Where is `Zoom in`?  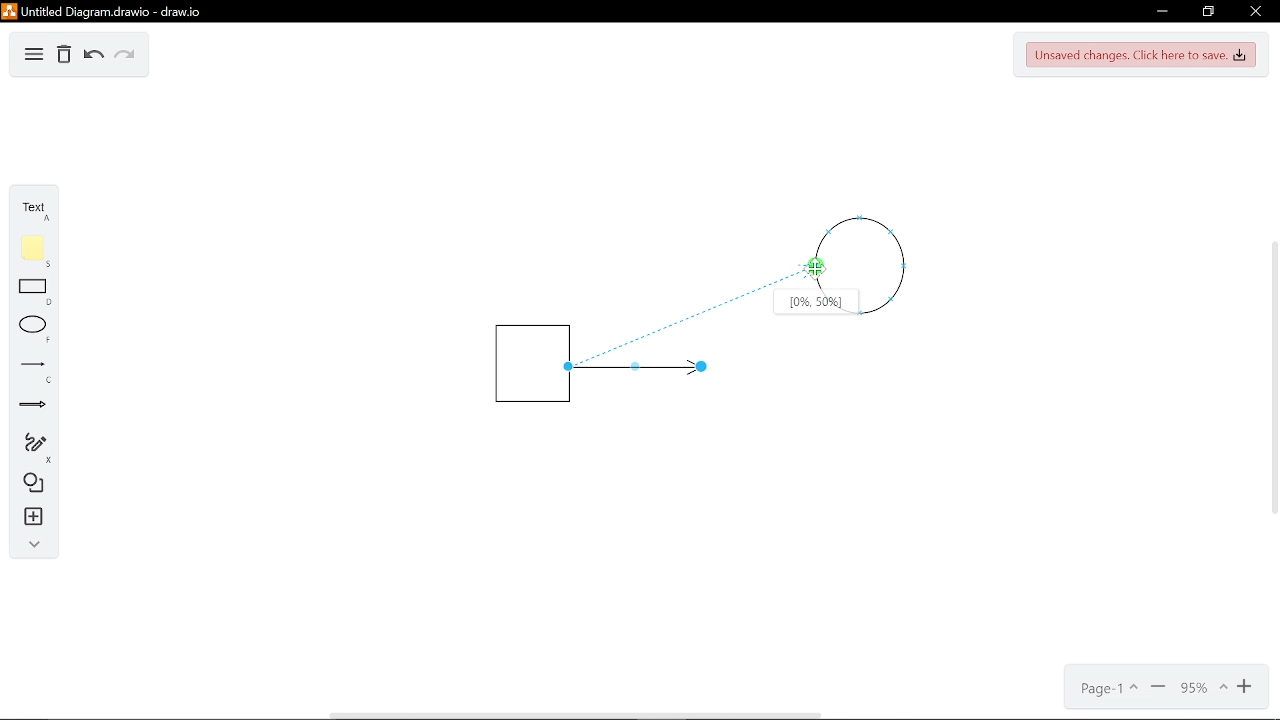 Zoom in is located at coordinates (1249, 689).